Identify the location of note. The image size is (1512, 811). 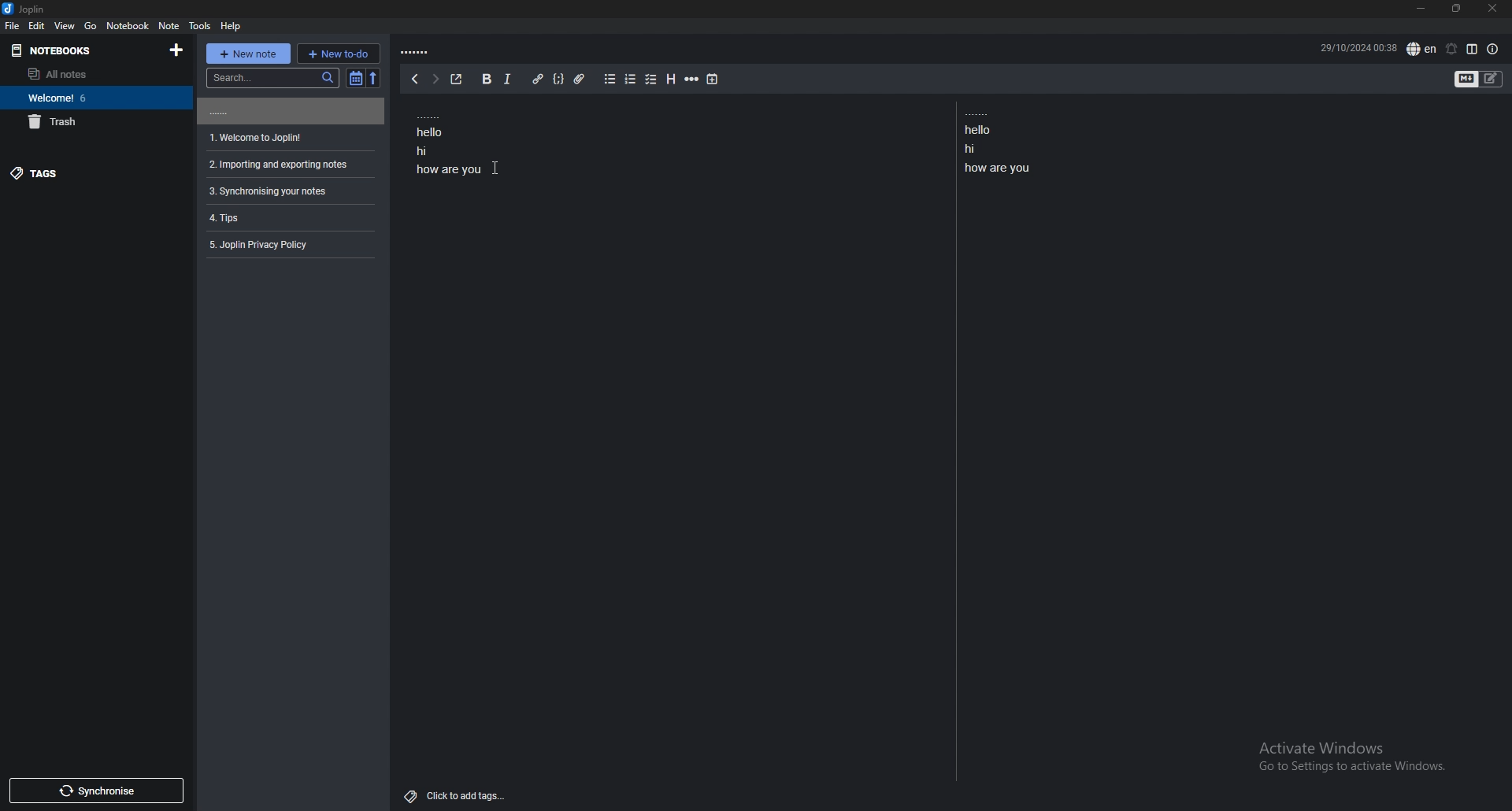
(288, 191).